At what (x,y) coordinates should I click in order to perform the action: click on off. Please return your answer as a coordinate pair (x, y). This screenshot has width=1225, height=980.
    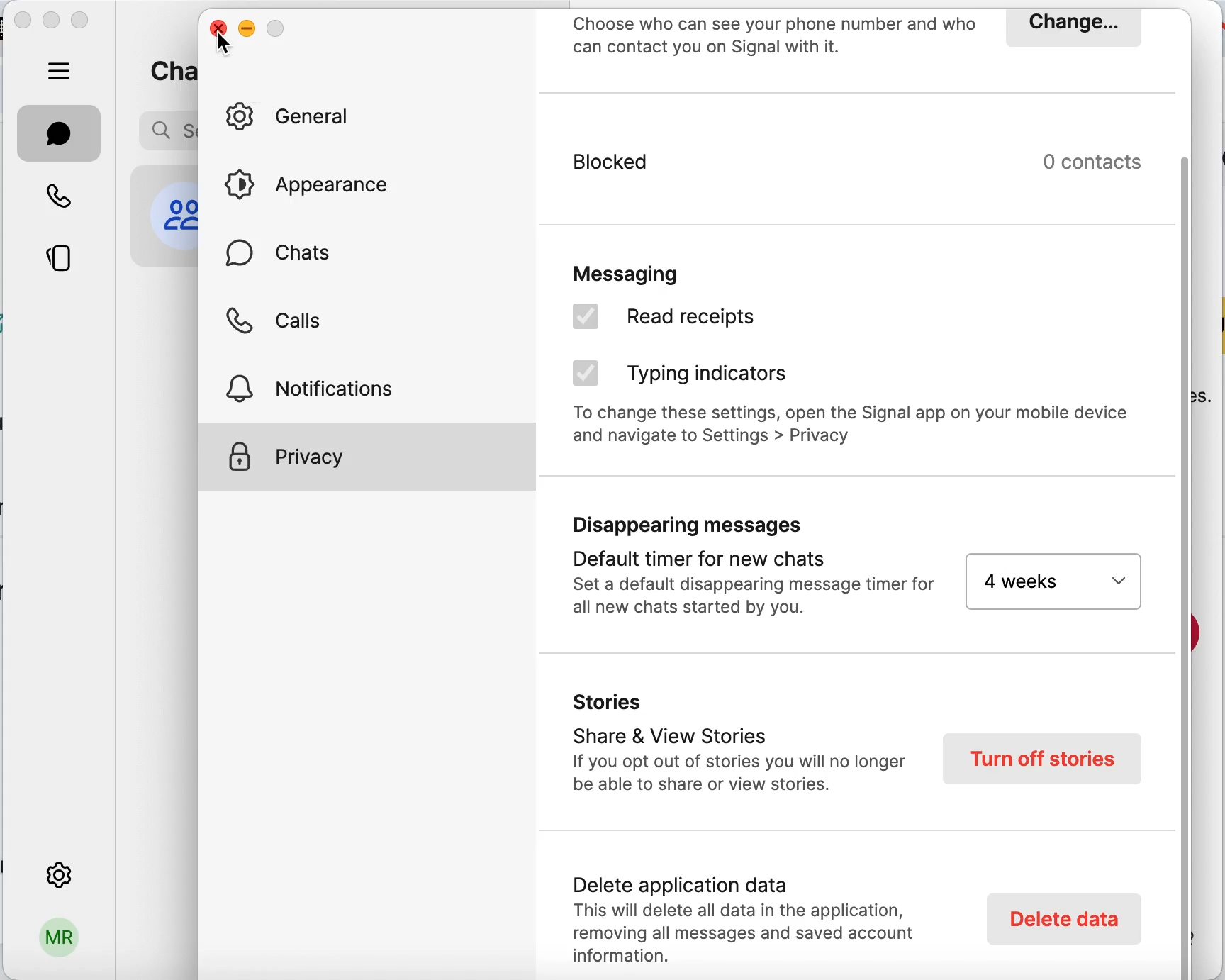
    Looking at the image, I should click on (1052, 581).